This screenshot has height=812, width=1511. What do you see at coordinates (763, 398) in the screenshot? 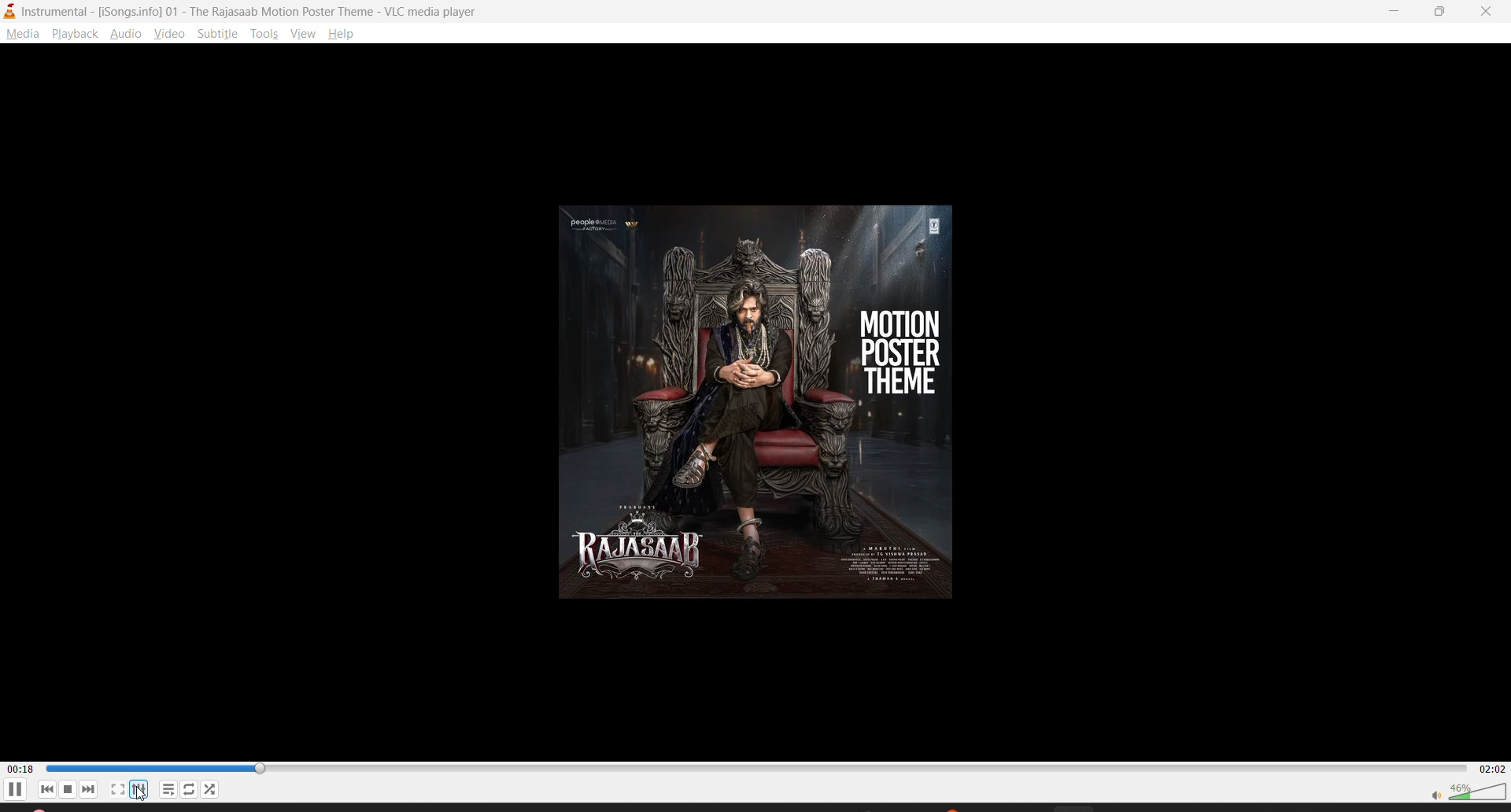
I see `thumbnail` at bounding box center [763, 398].